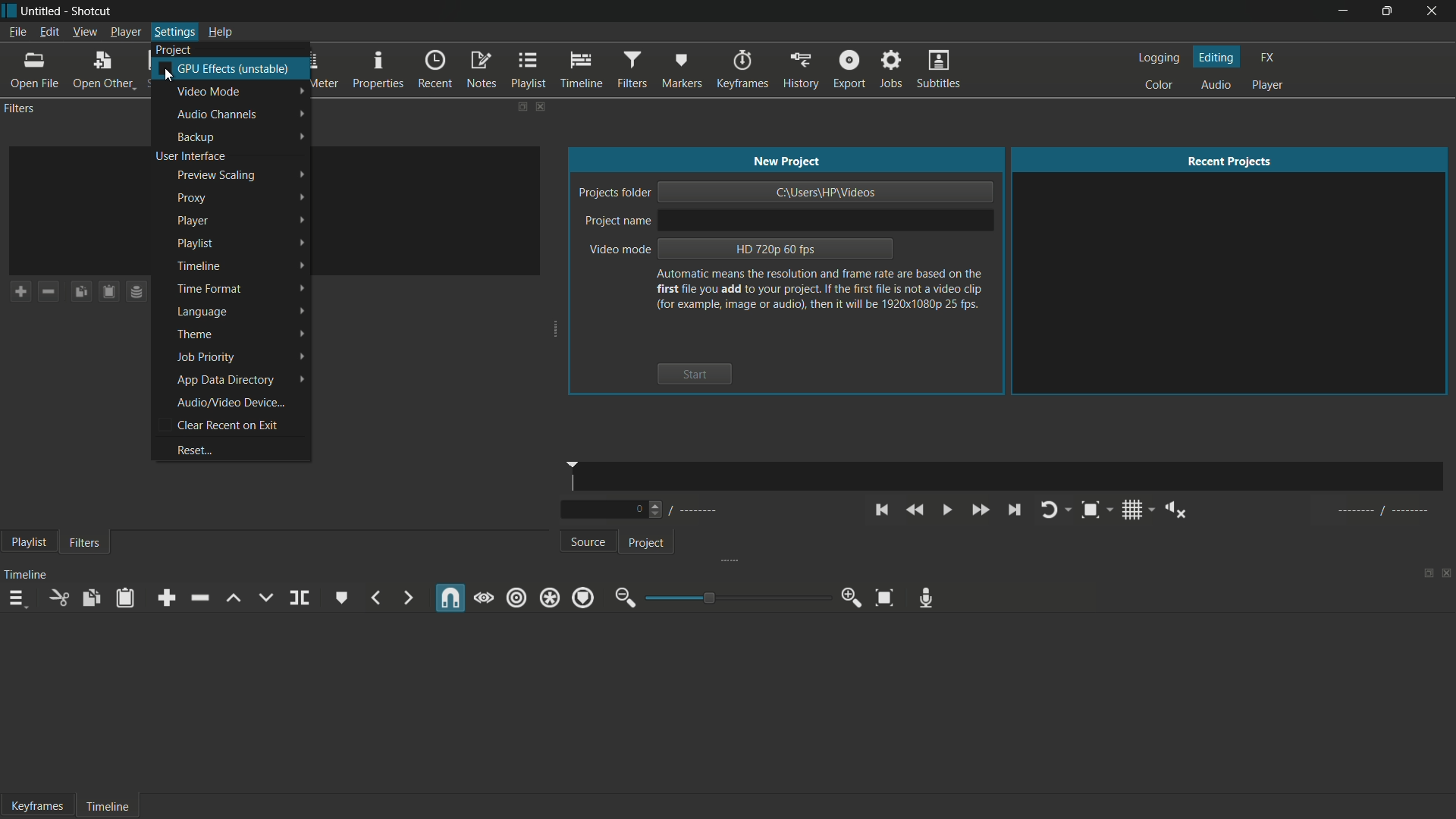 Image resolution: width=1456 pixels, height=819 pixels. I want to click on player menu, so click(124, 33).